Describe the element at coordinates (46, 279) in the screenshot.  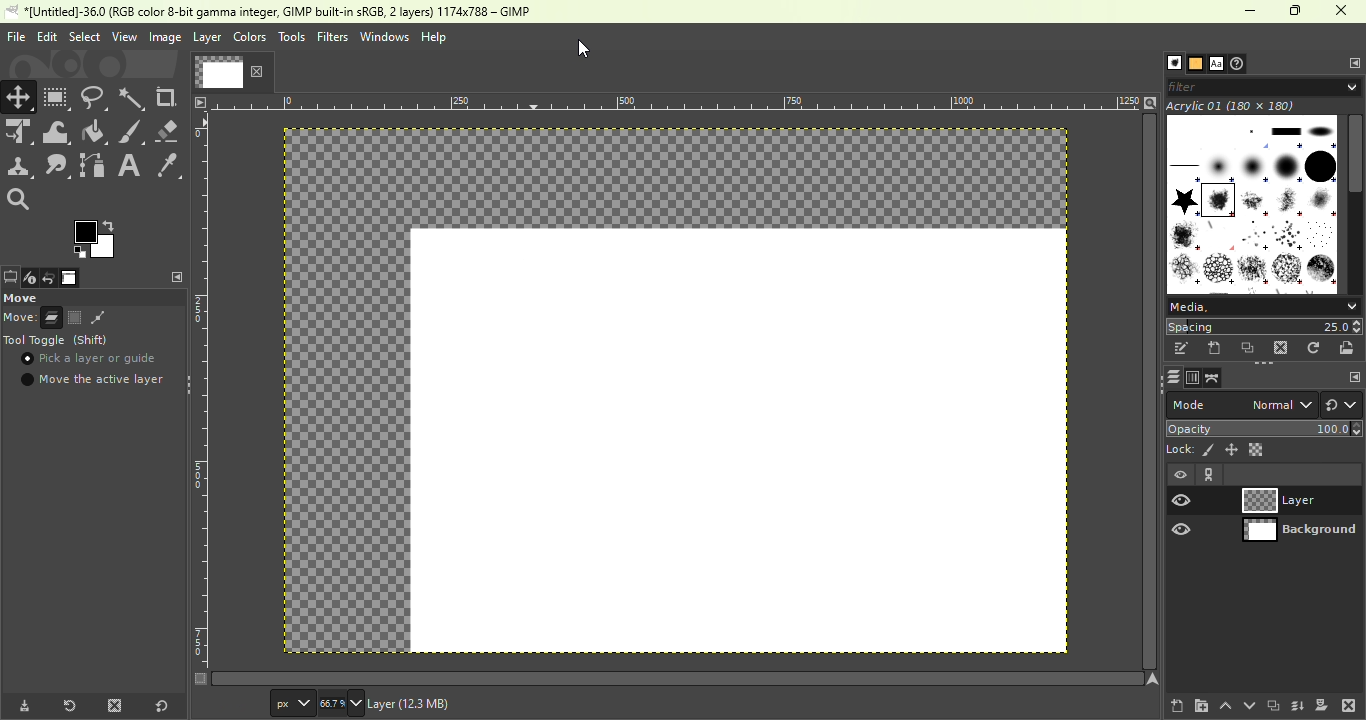
I see `Undo history` at that location.